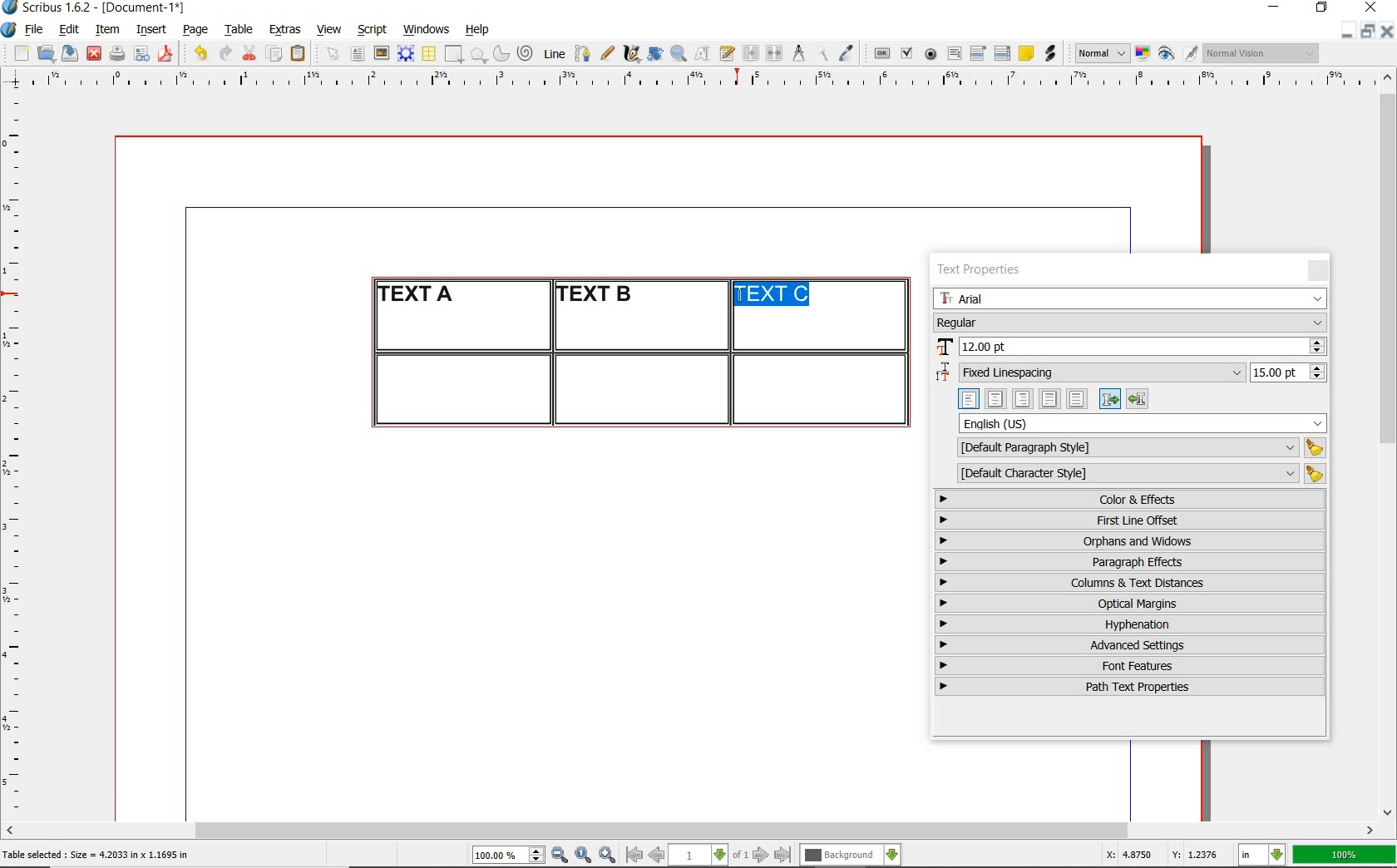 The image size is (1397, 868). Describe the element at coordinates (1131, 373) in the screenshot. I see `fixed linespacing` at that location.